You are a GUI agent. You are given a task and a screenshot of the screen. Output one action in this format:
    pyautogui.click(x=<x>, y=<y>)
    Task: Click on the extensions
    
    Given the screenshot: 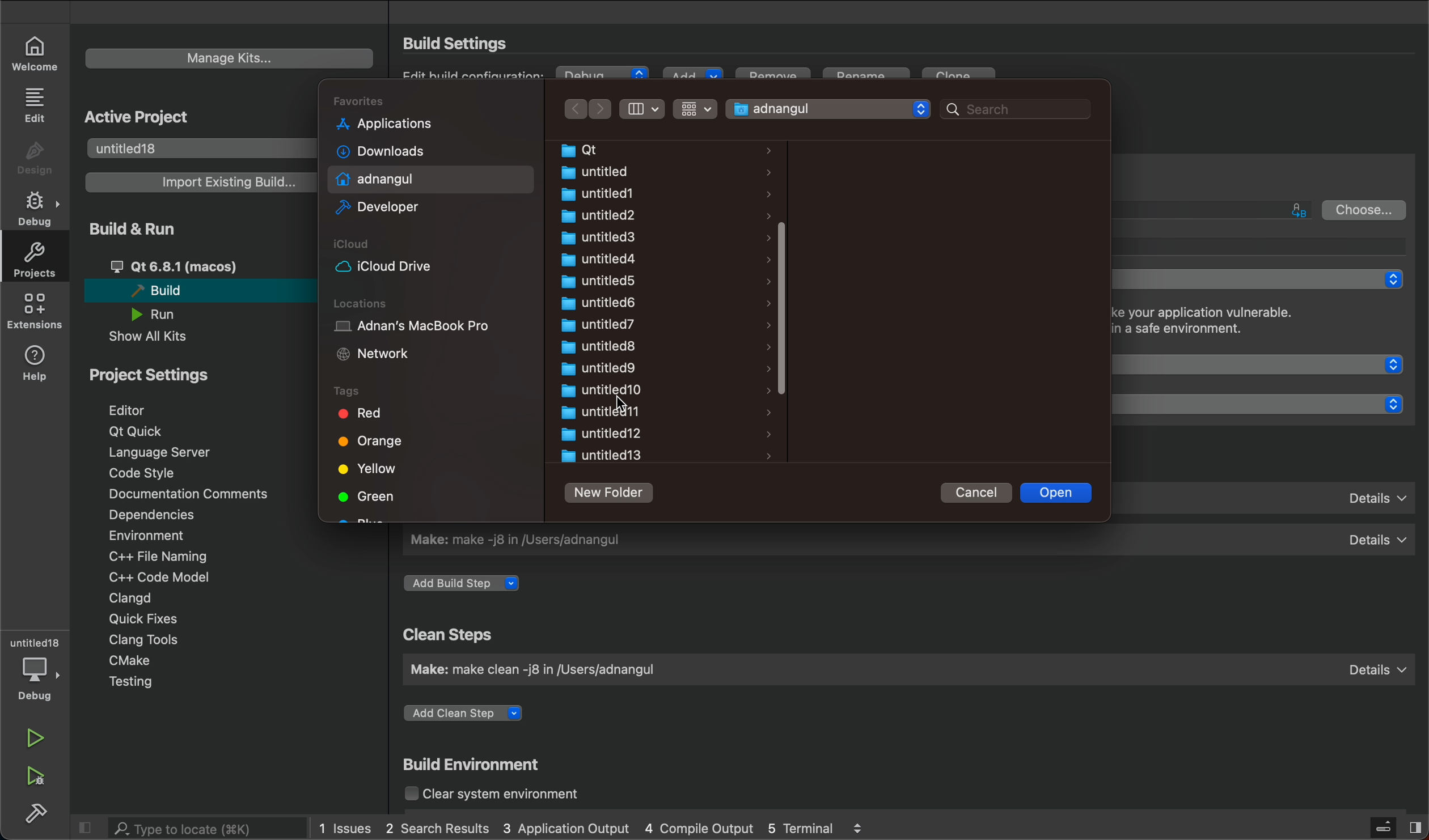 What is the action you would take?
    pyautogui.click(x=35, y=315)
    